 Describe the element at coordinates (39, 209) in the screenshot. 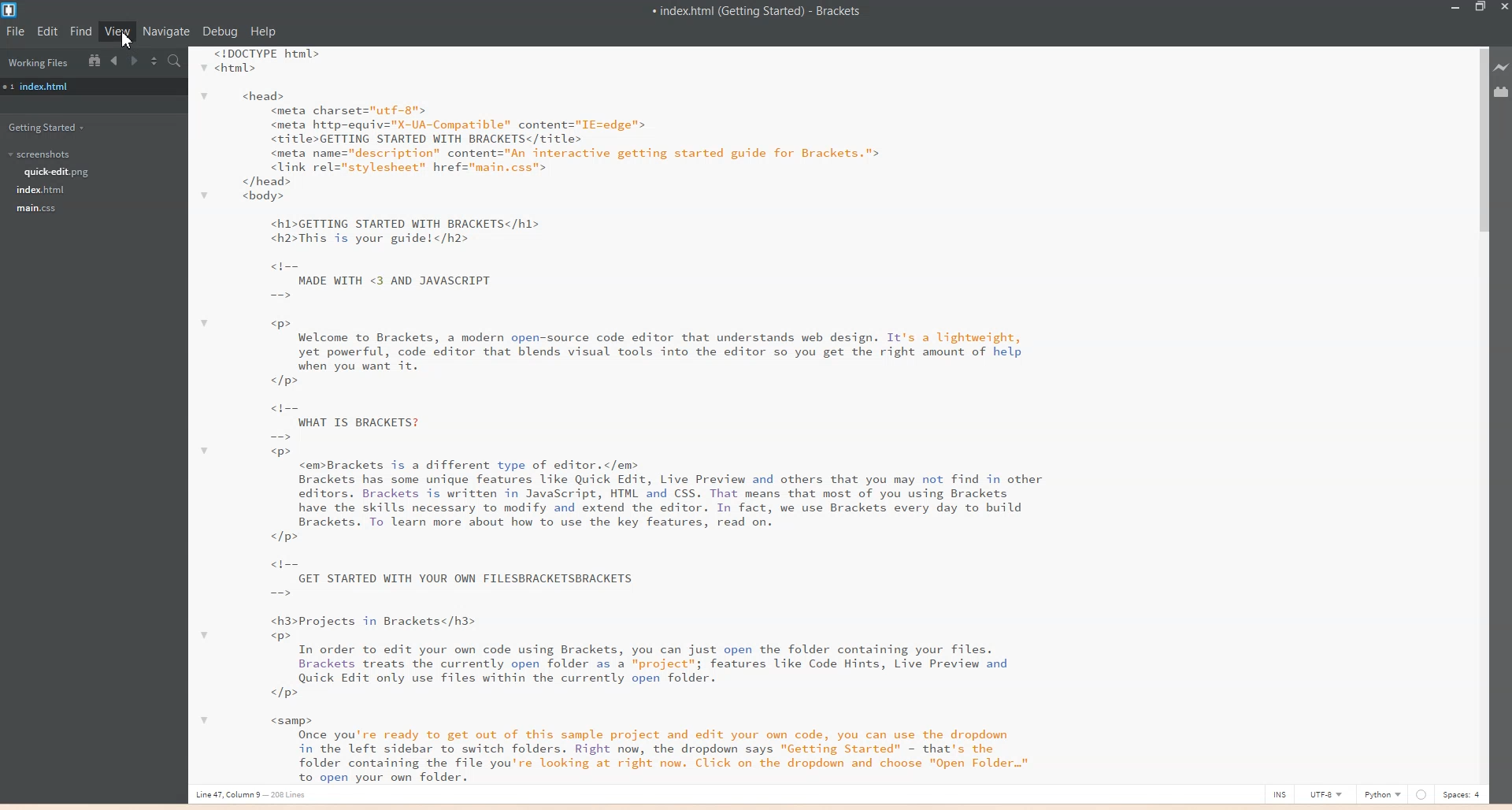

I see `main.css` at that location.